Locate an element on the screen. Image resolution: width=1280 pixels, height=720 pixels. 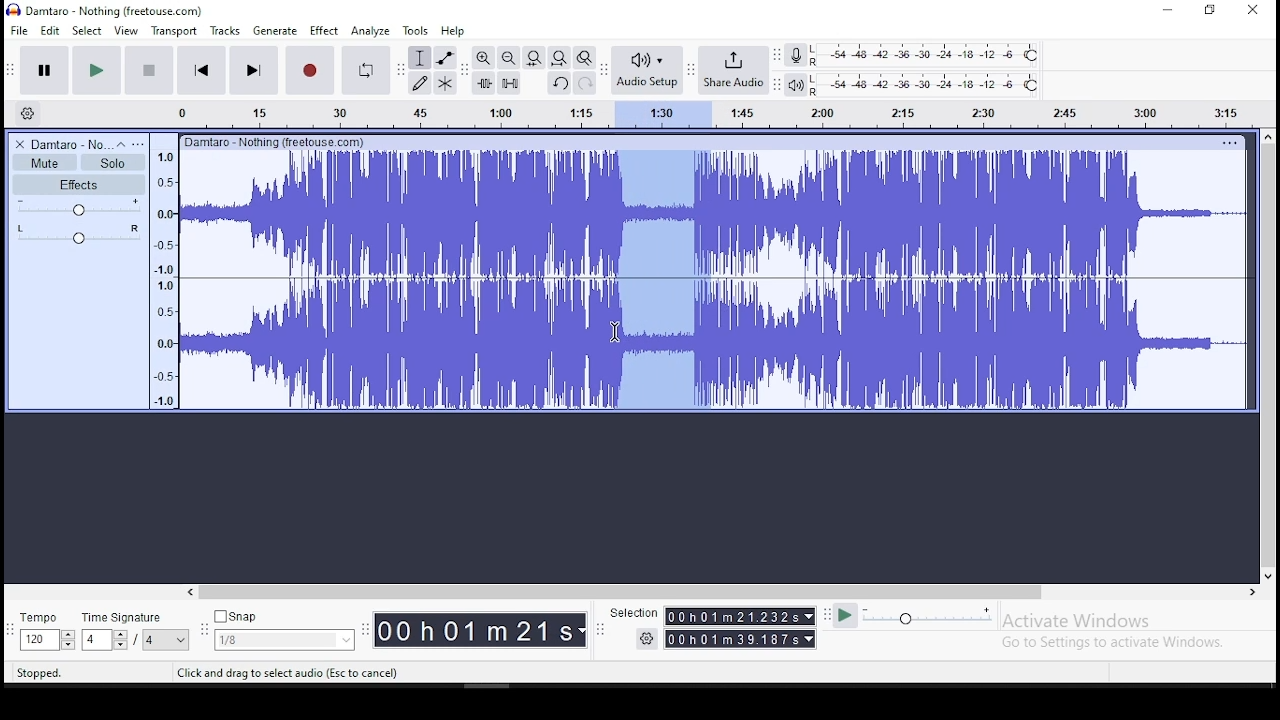
00Oh01m 21.232 is located at coordinates (731, 616).